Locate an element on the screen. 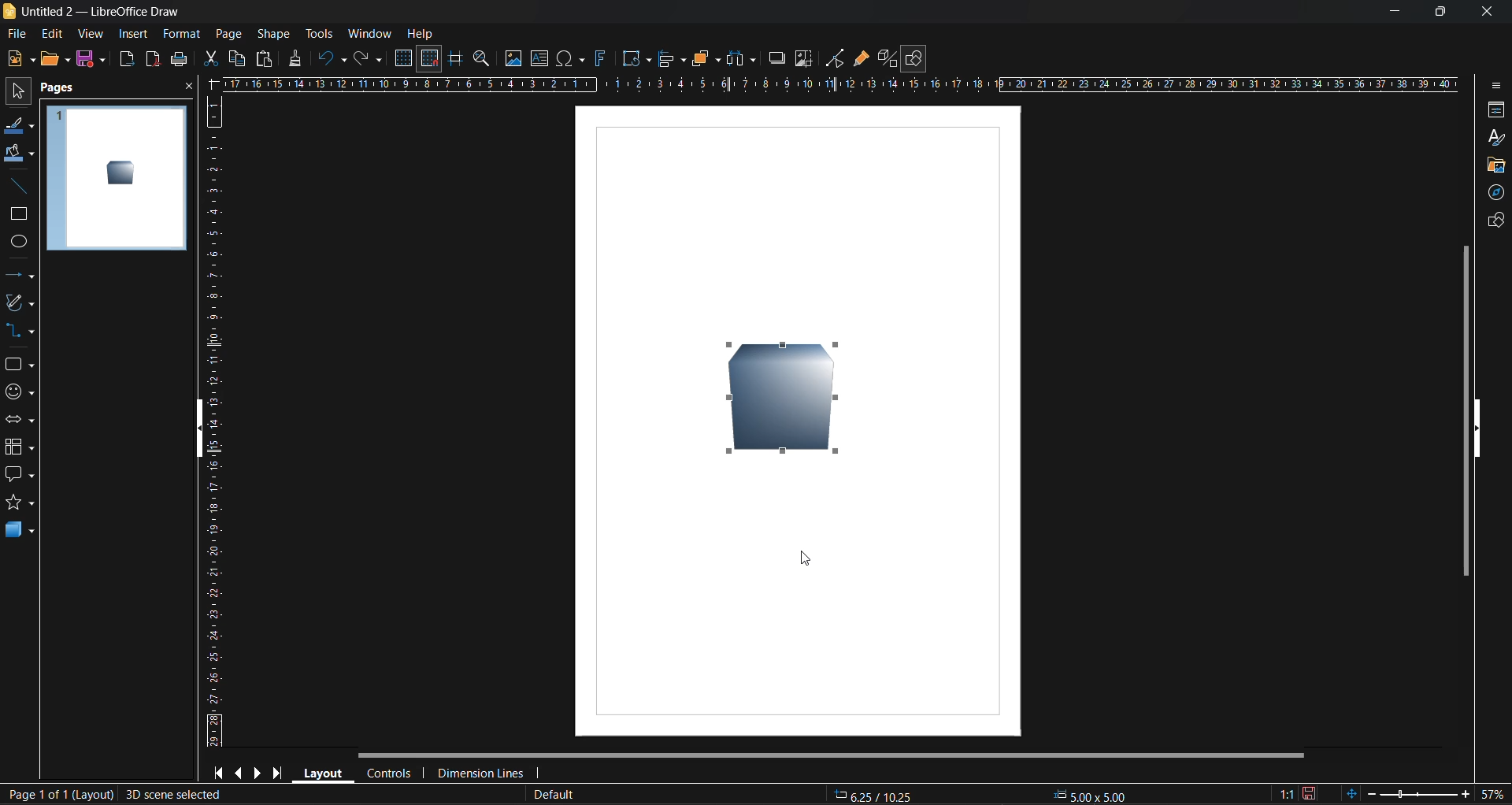 Image resolution: width=1512 pixels, height=805 pixels. shapes is located at coordinates (1492, 223).